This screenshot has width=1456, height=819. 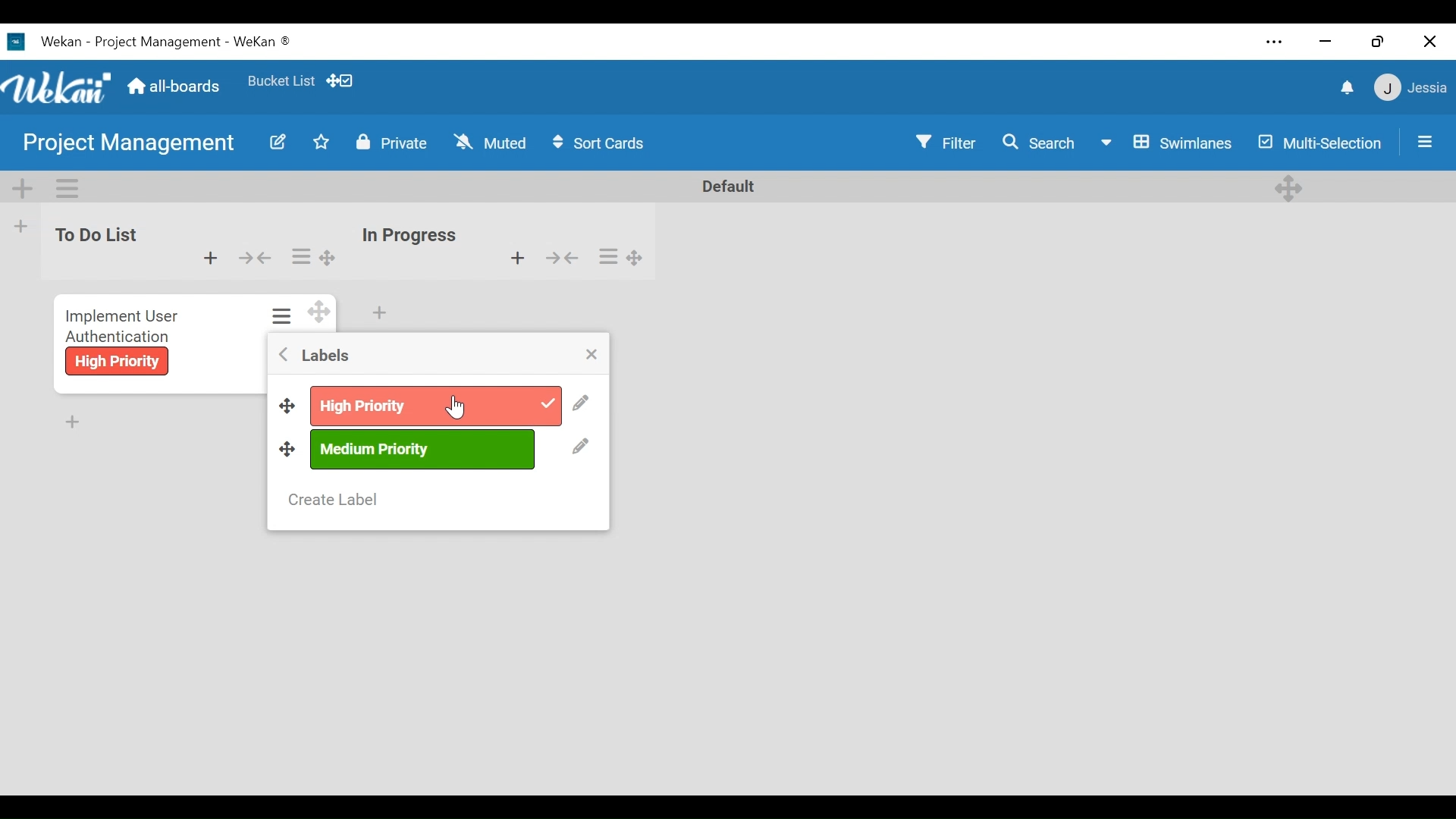 What do you see at coordinates (1410, 89) in the screenshot?
I see `member settings` at bounding box center [1410, 89].